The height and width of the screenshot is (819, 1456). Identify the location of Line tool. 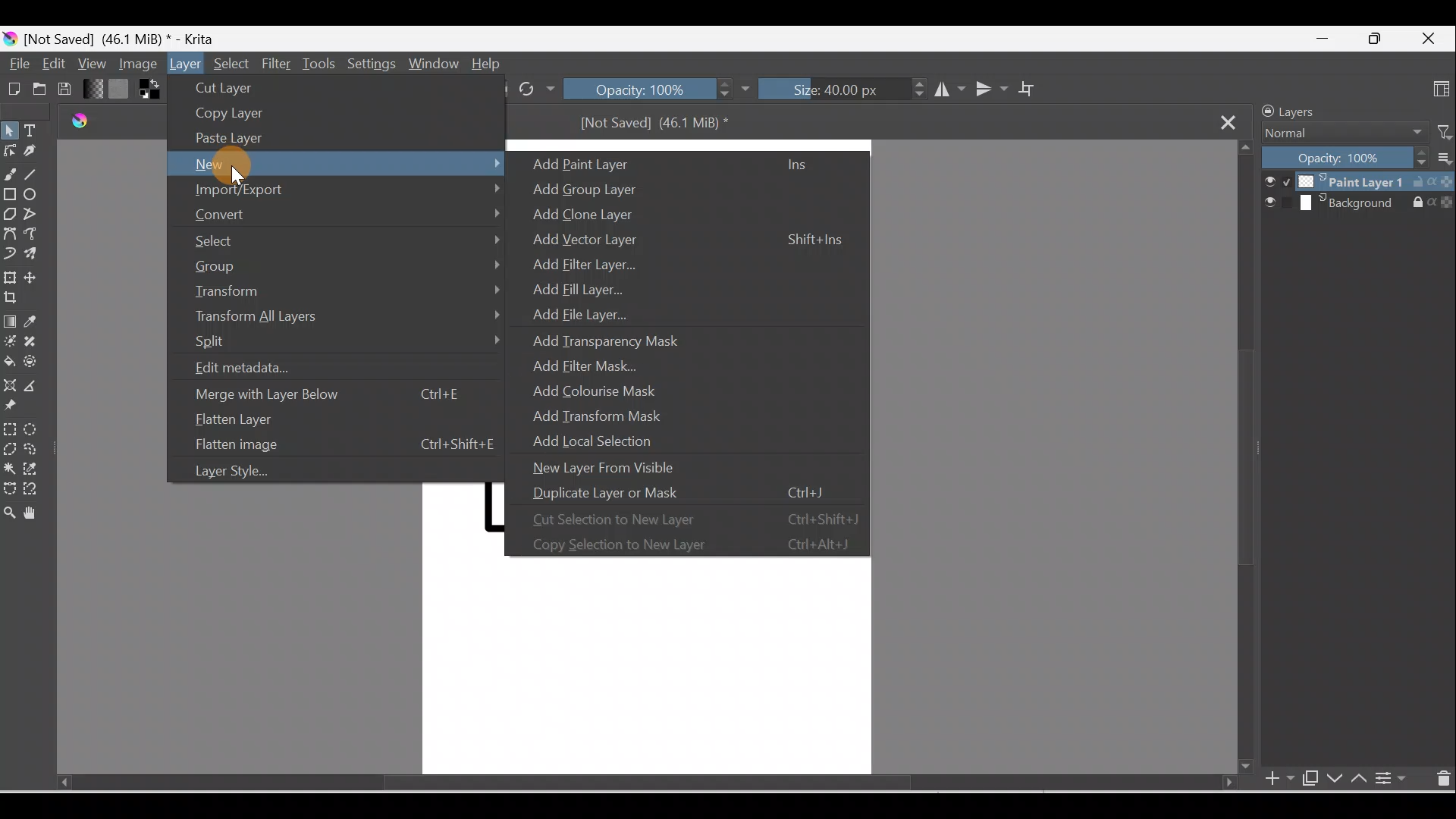
(34, 174).